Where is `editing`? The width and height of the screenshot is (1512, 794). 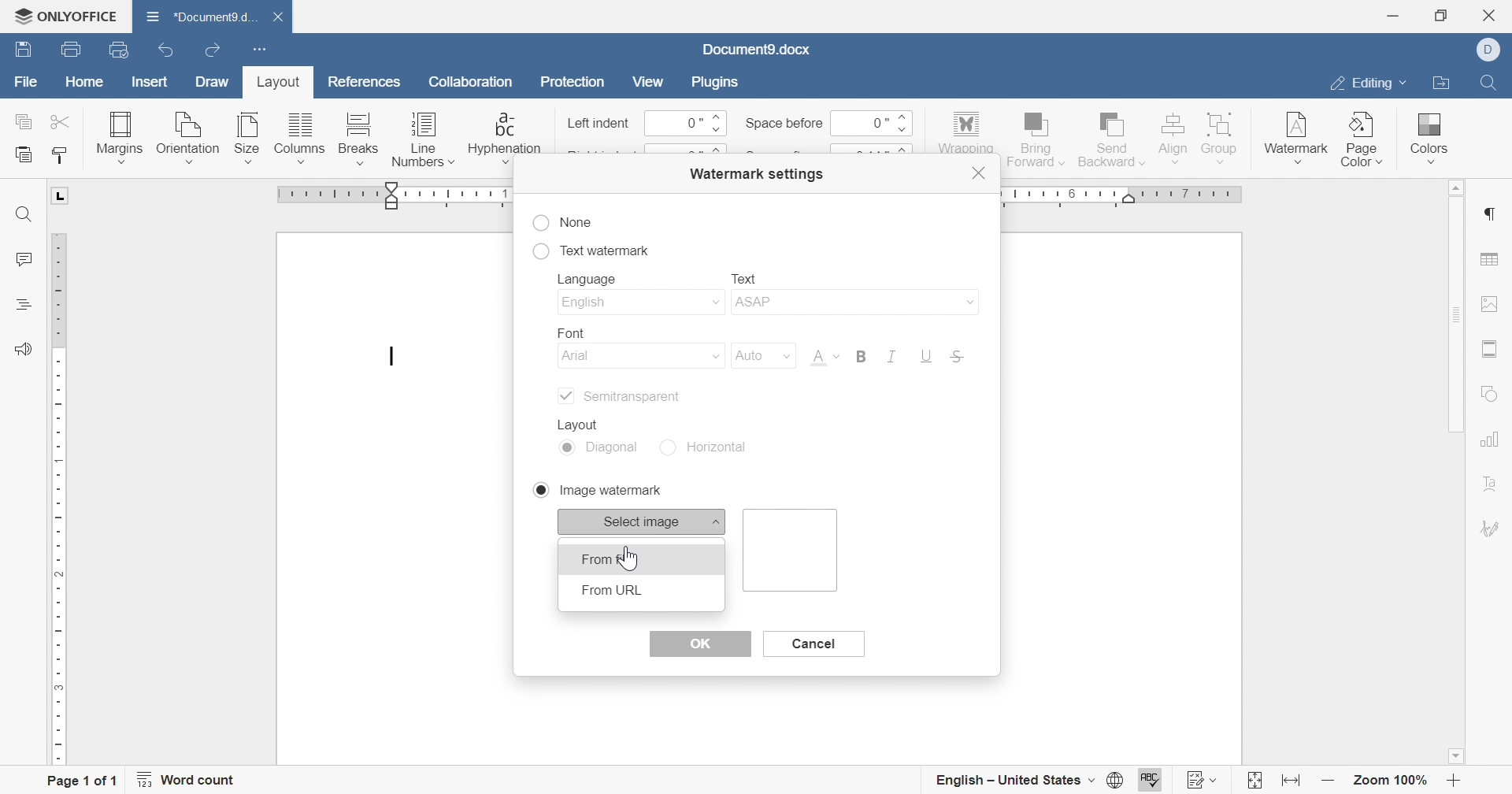 editing is located at coordinates (1365, 86).